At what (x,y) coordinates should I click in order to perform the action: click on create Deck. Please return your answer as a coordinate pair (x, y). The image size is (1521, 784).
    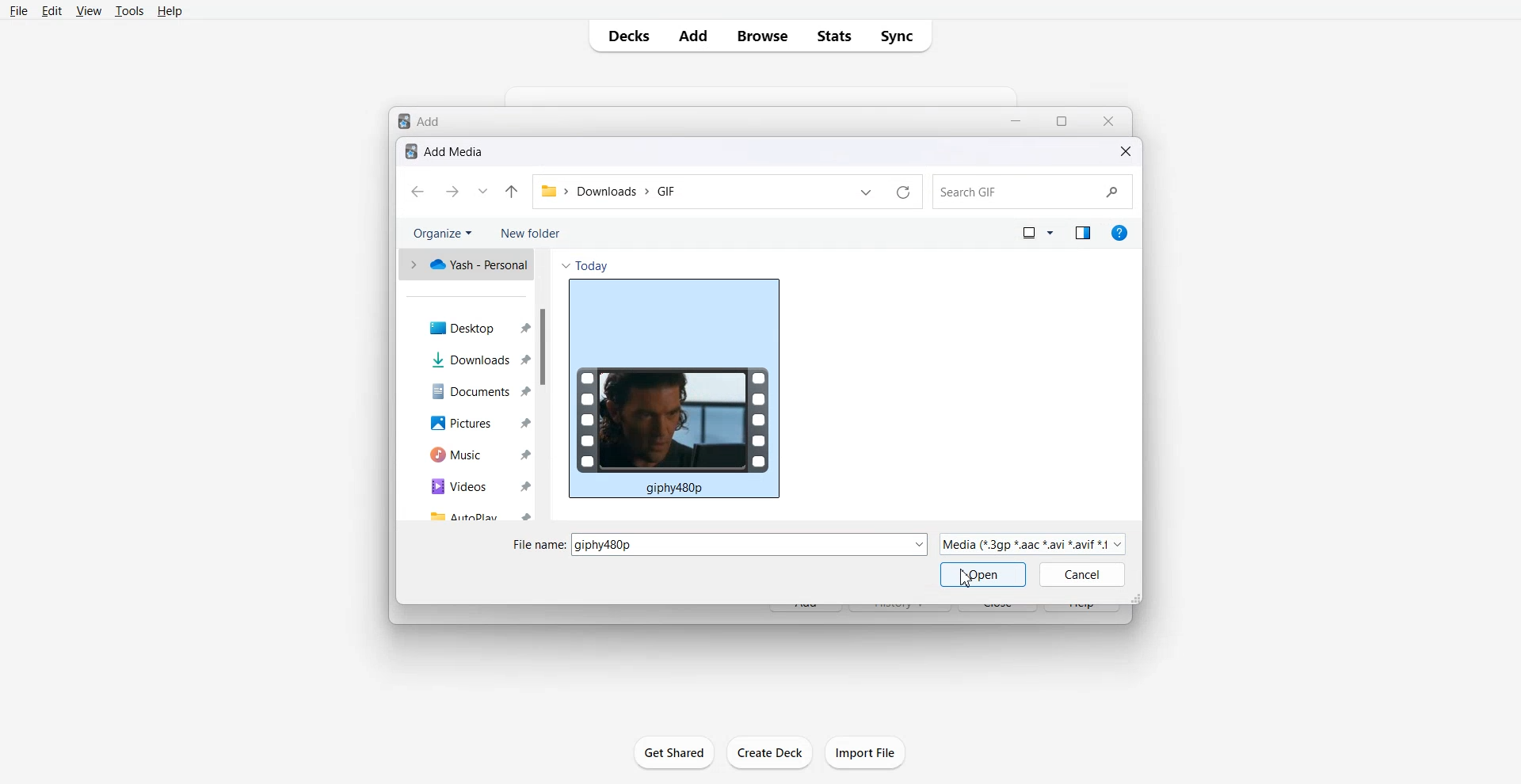
    Looking at the image, I should click on (770, 752).